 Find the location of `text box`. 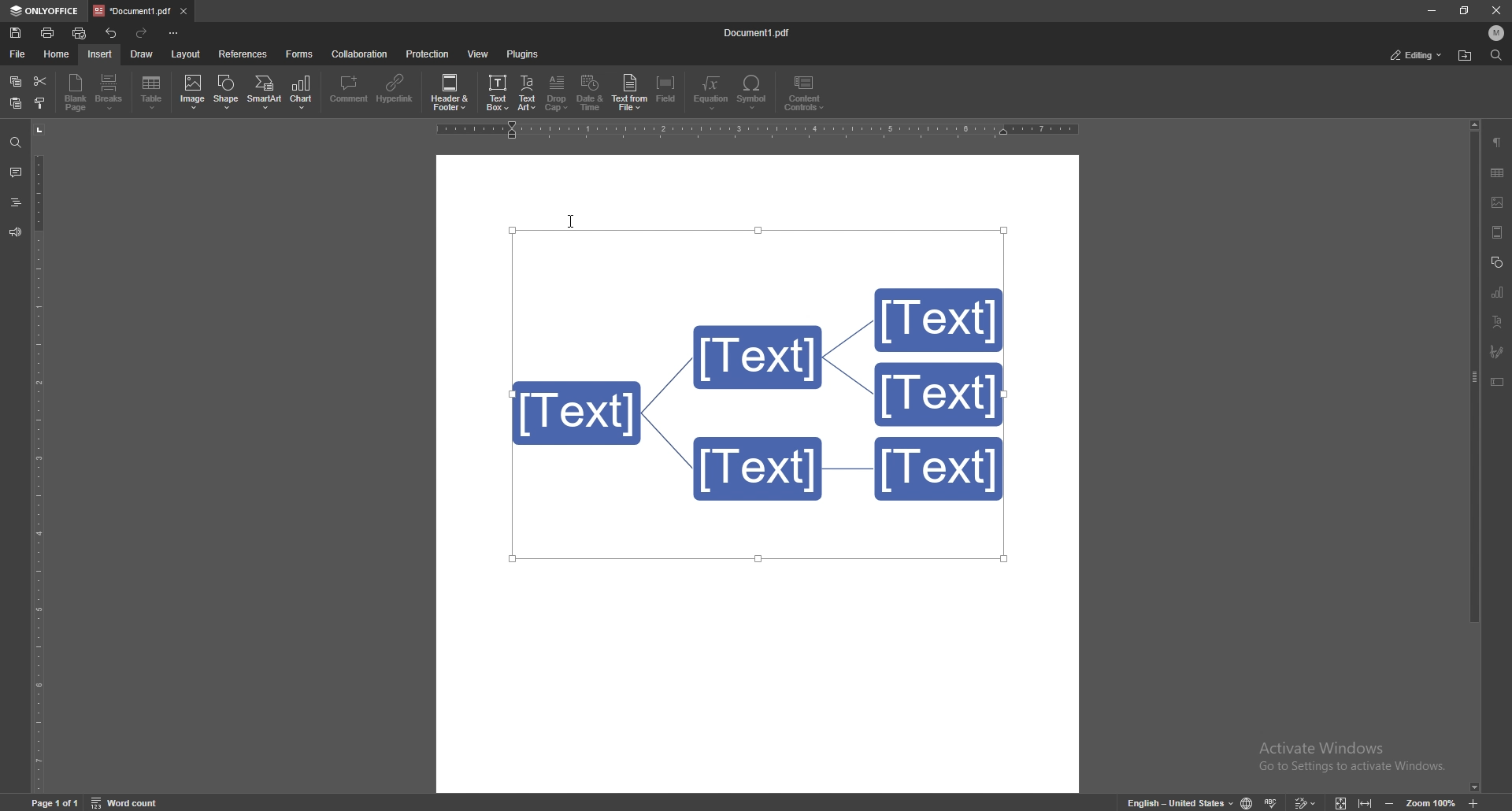

text box is located at coordinates (1497, 382).